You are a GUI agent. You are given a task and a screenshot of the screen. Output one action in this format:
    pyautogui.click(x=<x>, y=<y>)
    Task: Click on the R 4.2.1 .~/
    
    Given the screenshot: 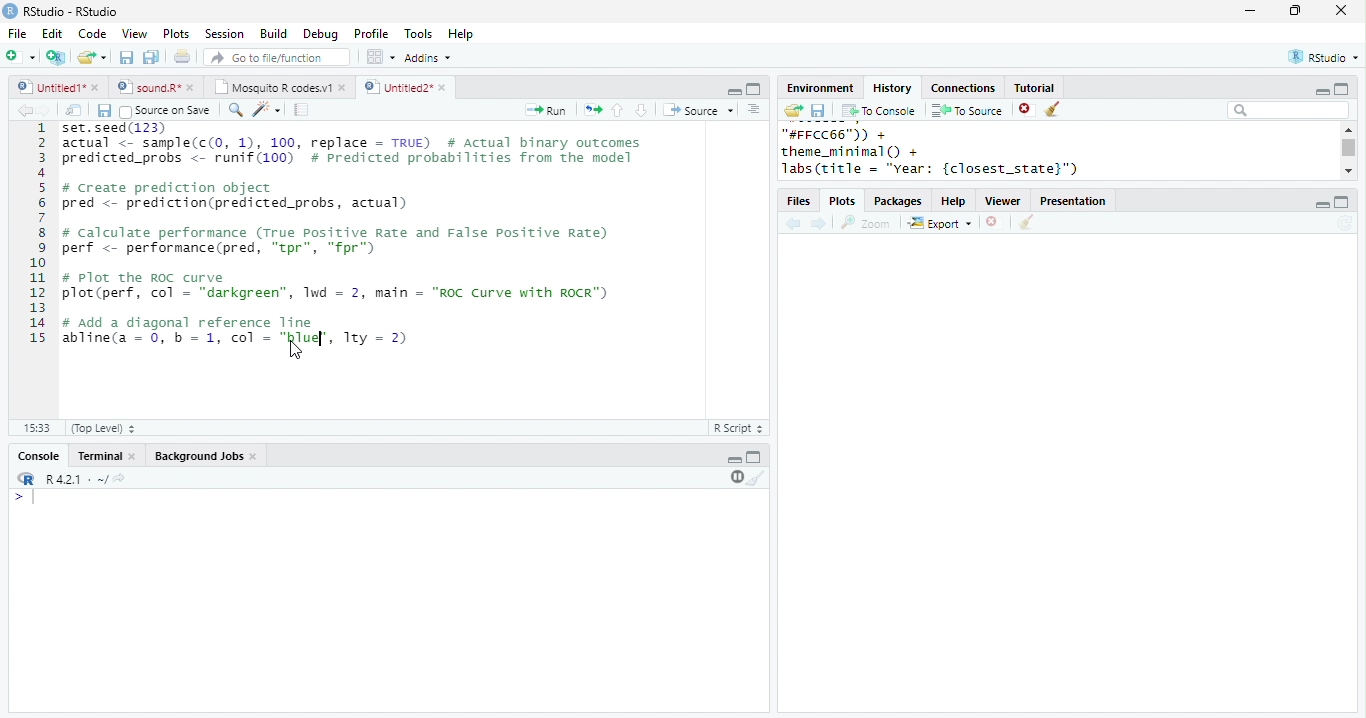 What is the action you would take?
    pyautogui.click(x=73, y=480)
    